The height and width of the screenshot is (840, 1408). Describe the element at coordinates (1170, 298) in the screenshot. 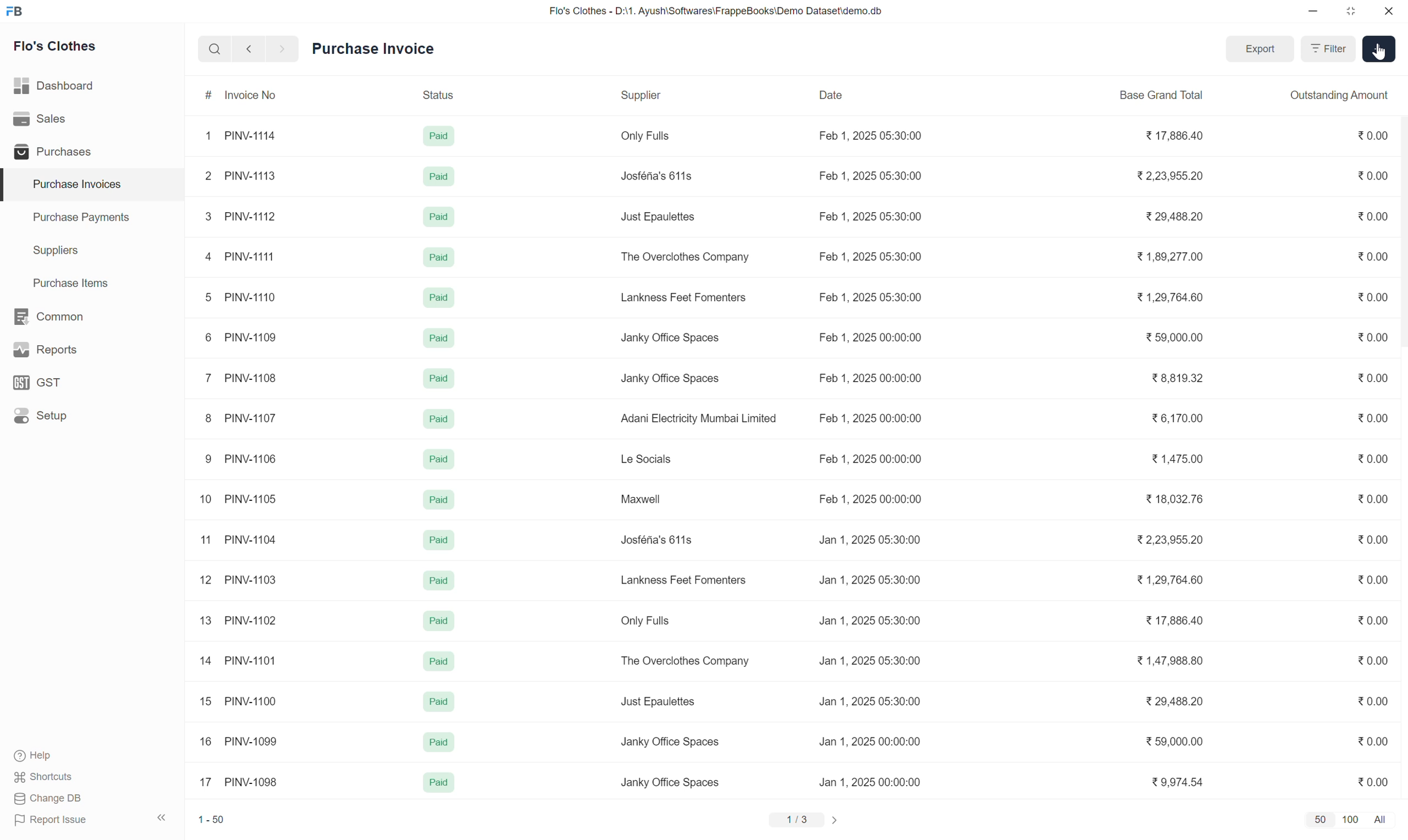

I see `1,29,764.60` at that location.